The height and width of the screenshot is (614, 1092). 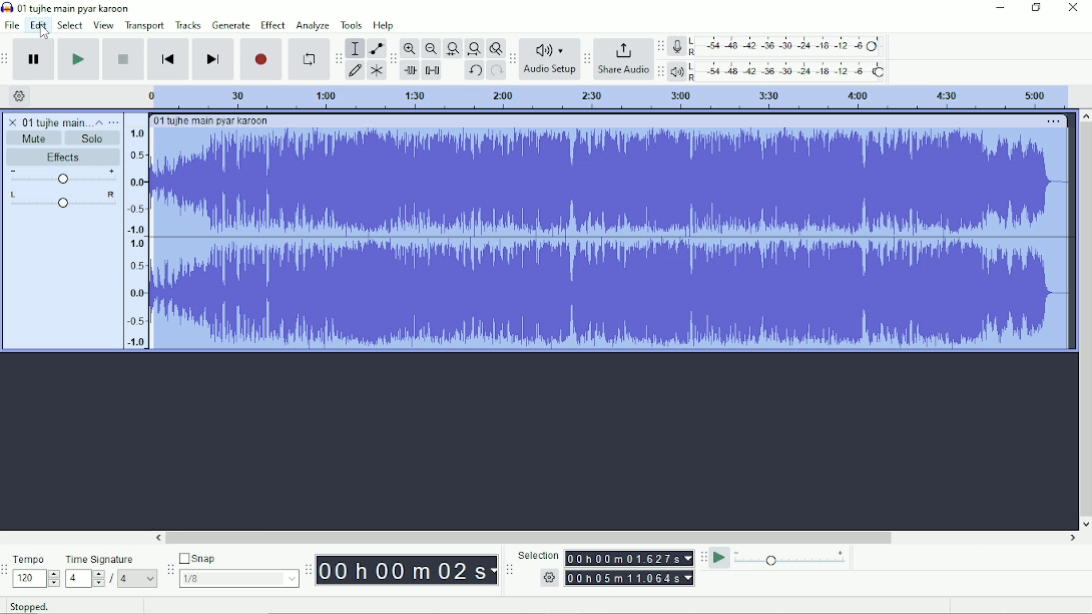 What do you see at coordinates (1072, 8) in the screenshot?
I see `Close` at bounding box center [1072, 8].